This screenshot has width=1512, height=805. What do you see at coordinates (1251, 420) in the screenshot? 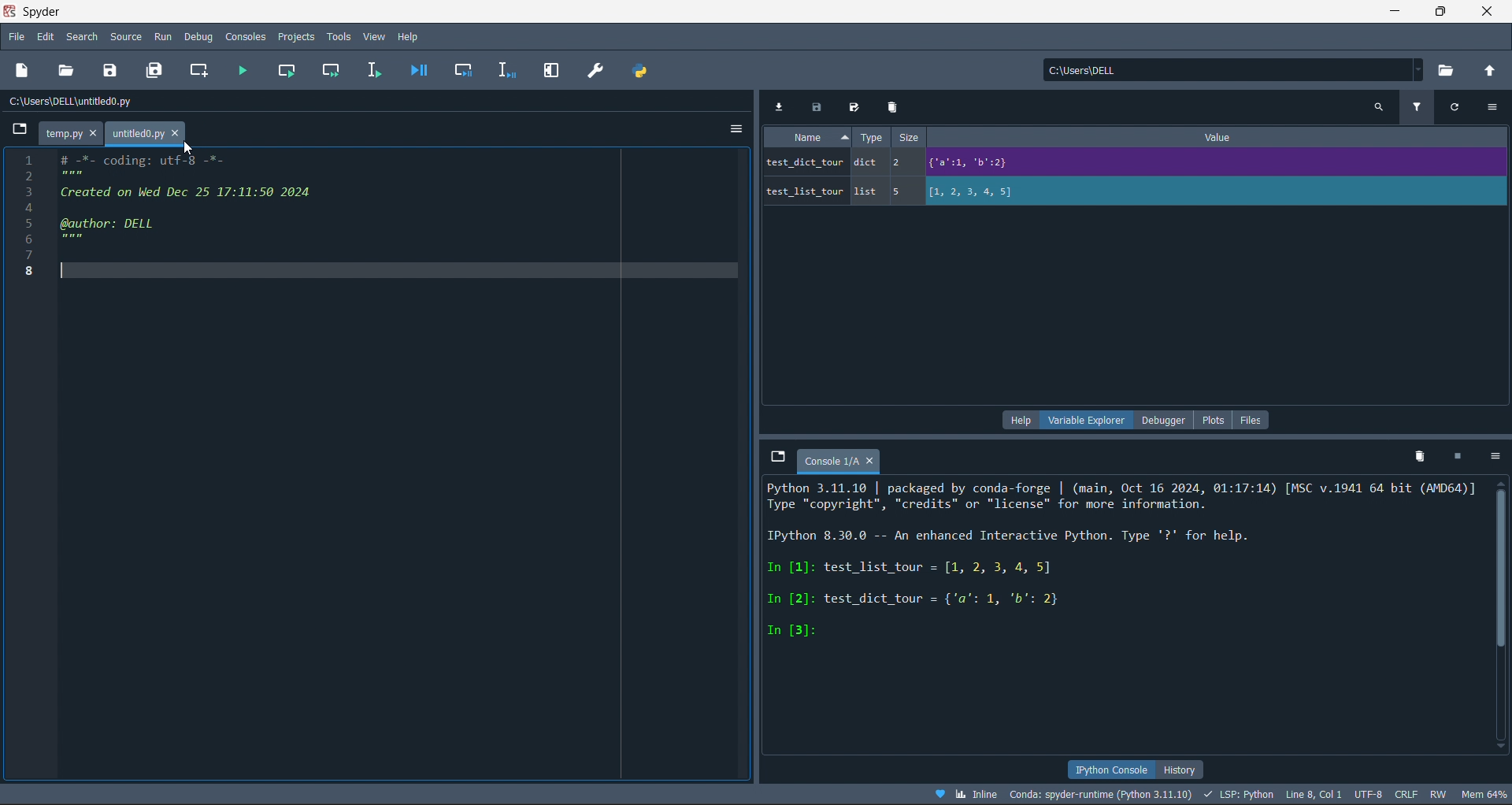
I see `files pane` at bounding box center [1251, 420].